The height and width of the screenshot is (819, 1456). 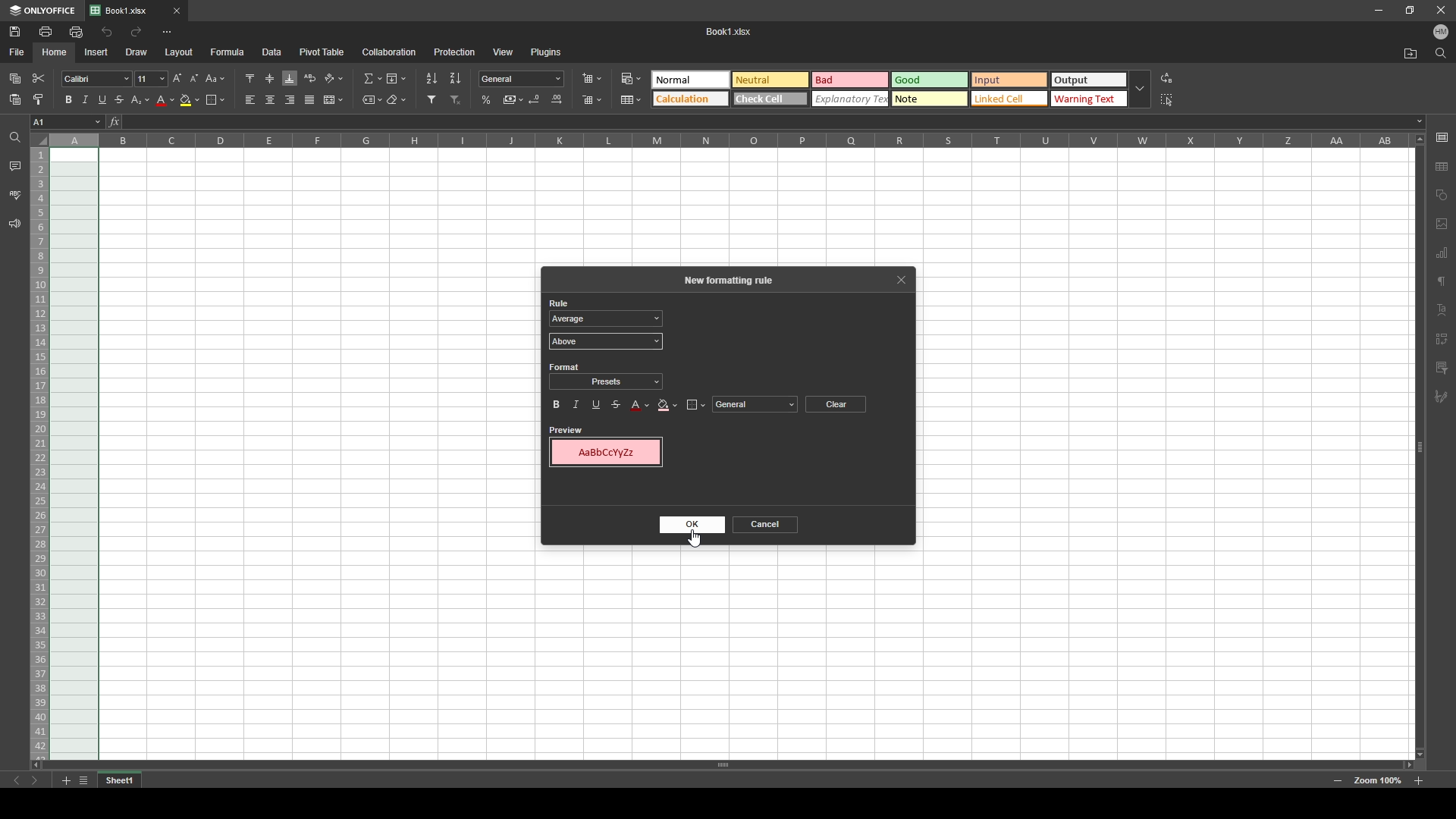 I want to click on average, so click(x=606, y=318).